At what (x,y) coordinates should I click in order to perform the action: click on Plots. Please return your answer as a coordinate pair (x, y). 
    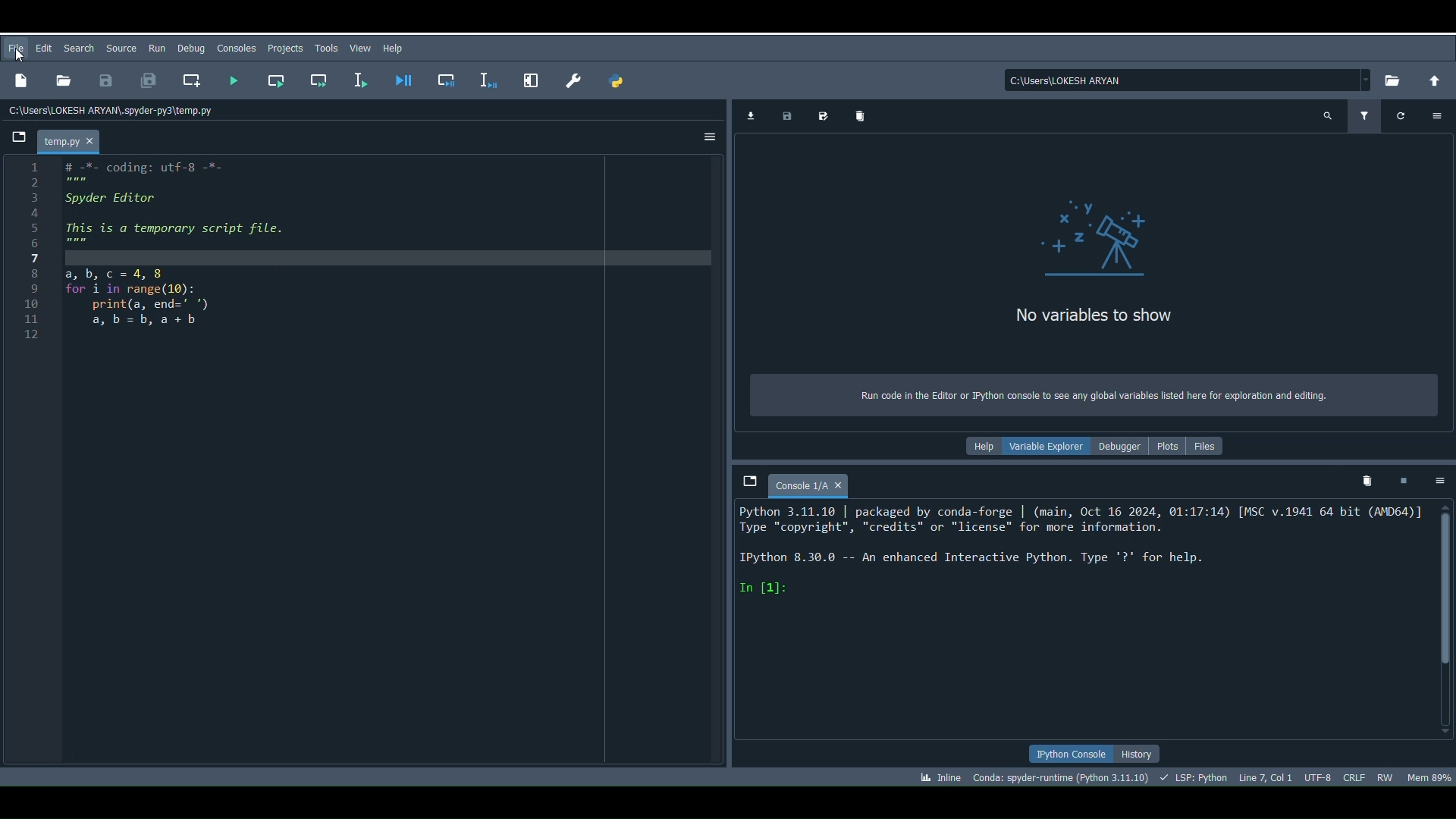
    Looking at the image, I should click on (1166, 444).